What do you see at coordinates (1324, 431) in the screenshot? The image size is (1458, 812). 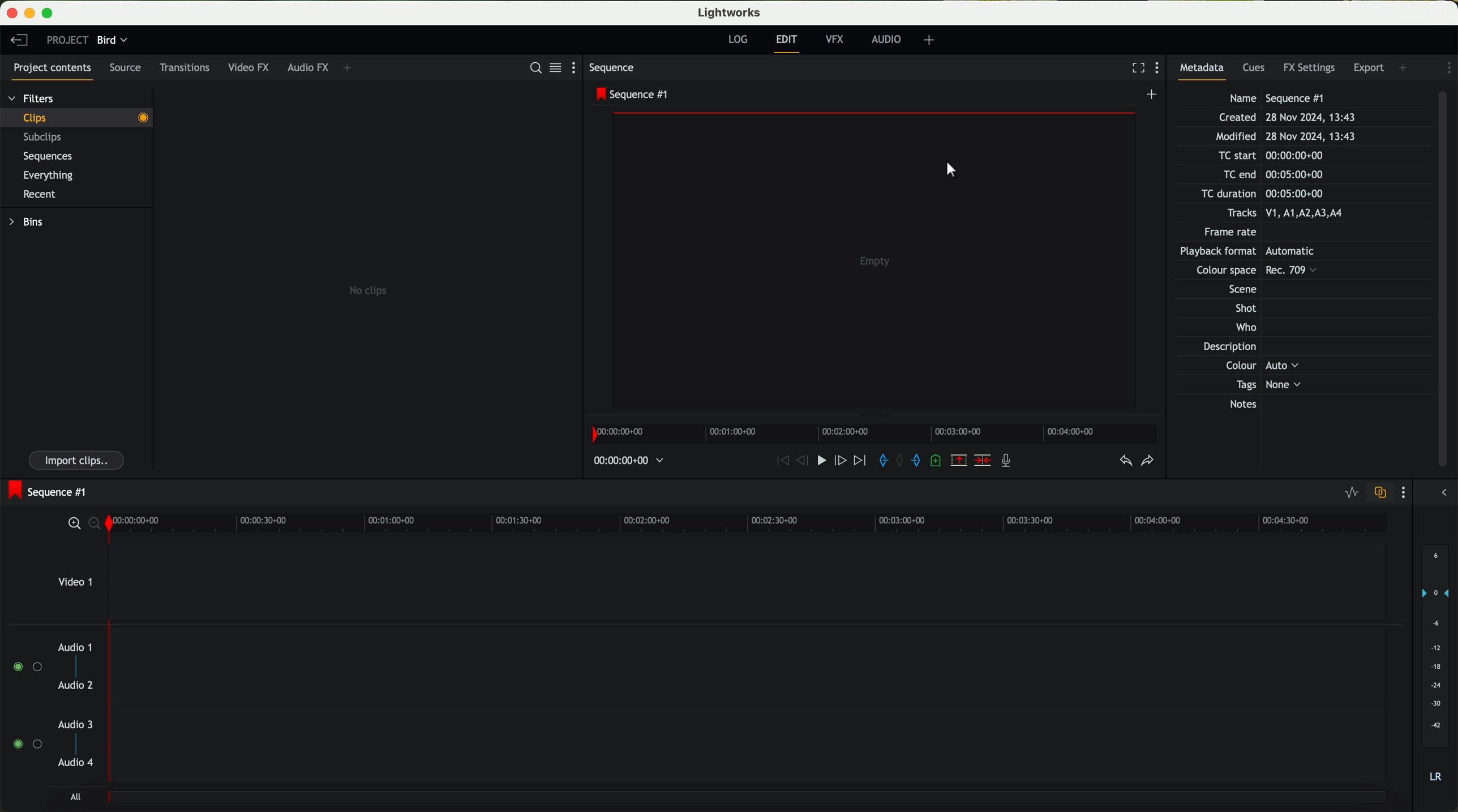 I see `Notes` at bounding box center [1324, 431].